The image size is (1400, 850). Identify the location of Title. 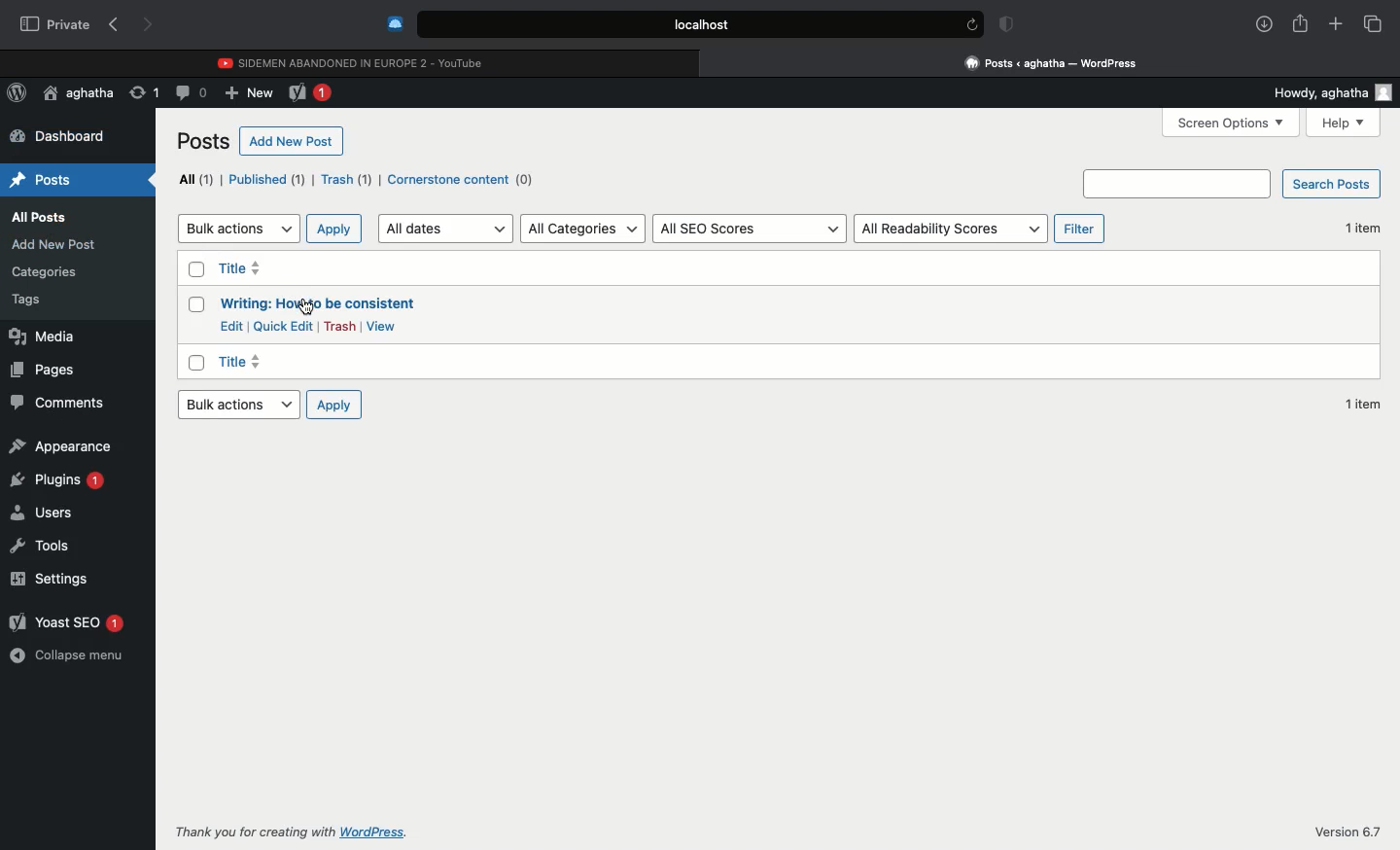
(242, 269).